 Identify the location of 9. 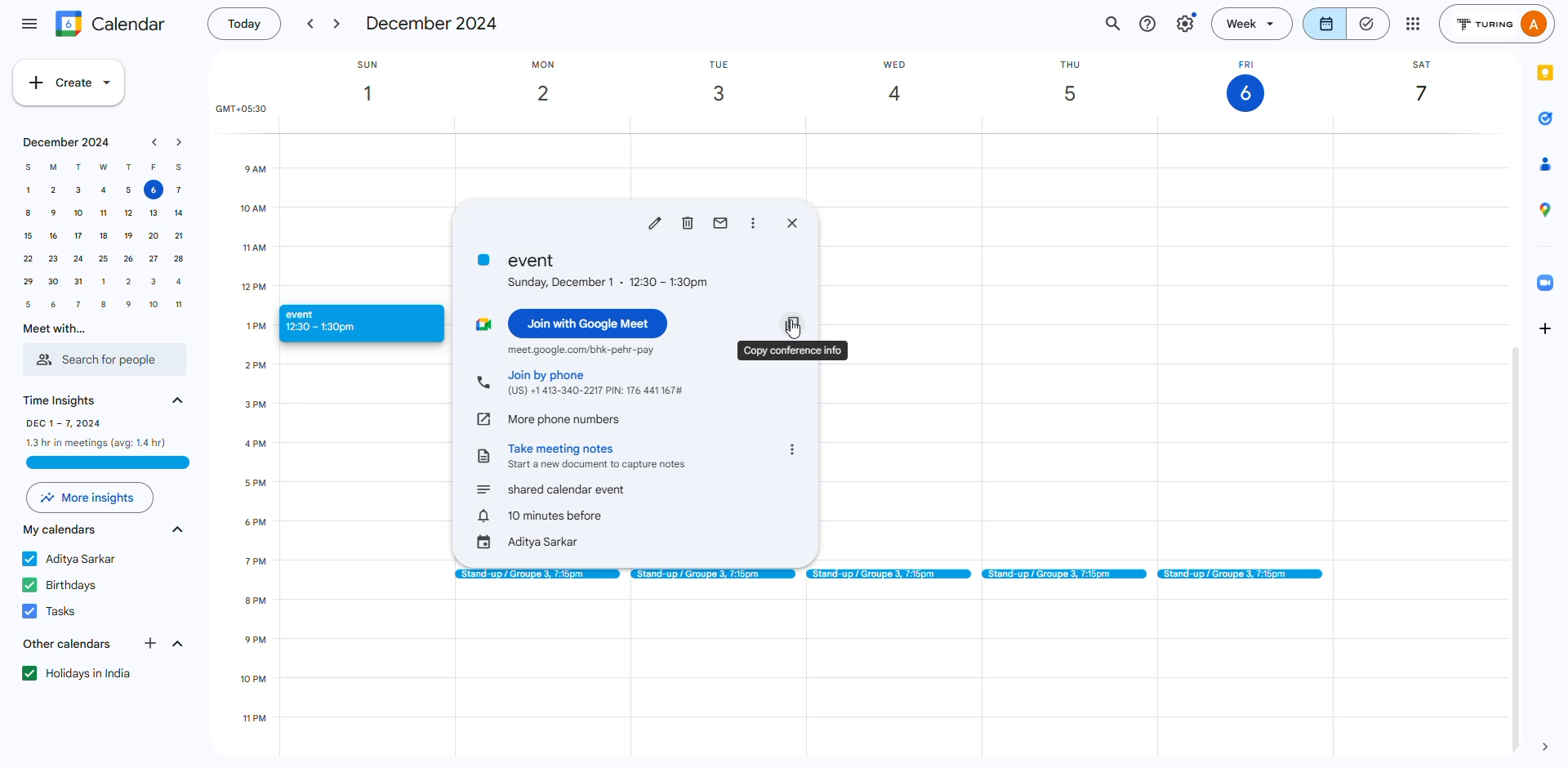
(53, 215).